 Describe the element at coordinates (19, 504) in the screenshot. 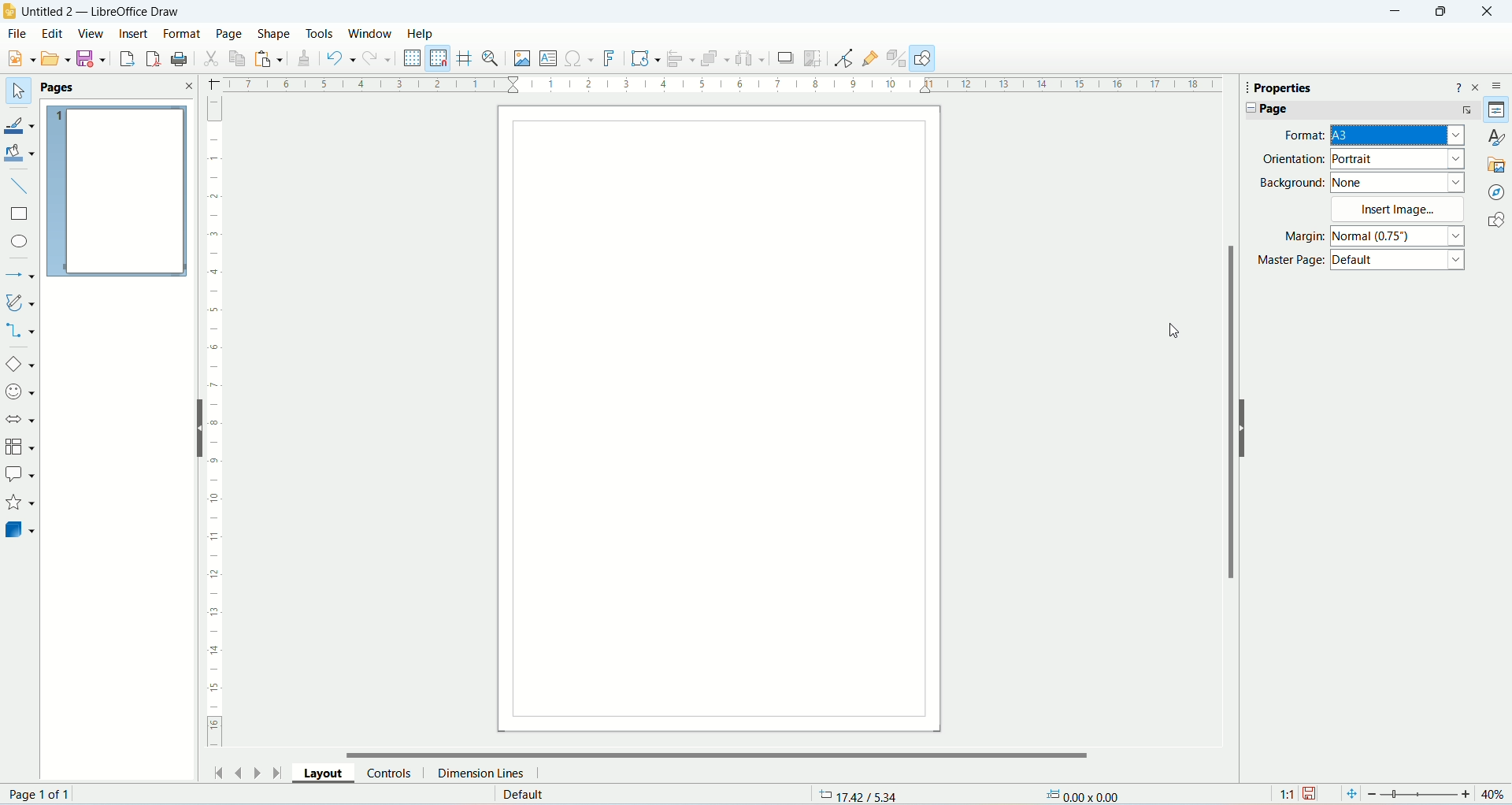

I see `starts and banners` at that location.